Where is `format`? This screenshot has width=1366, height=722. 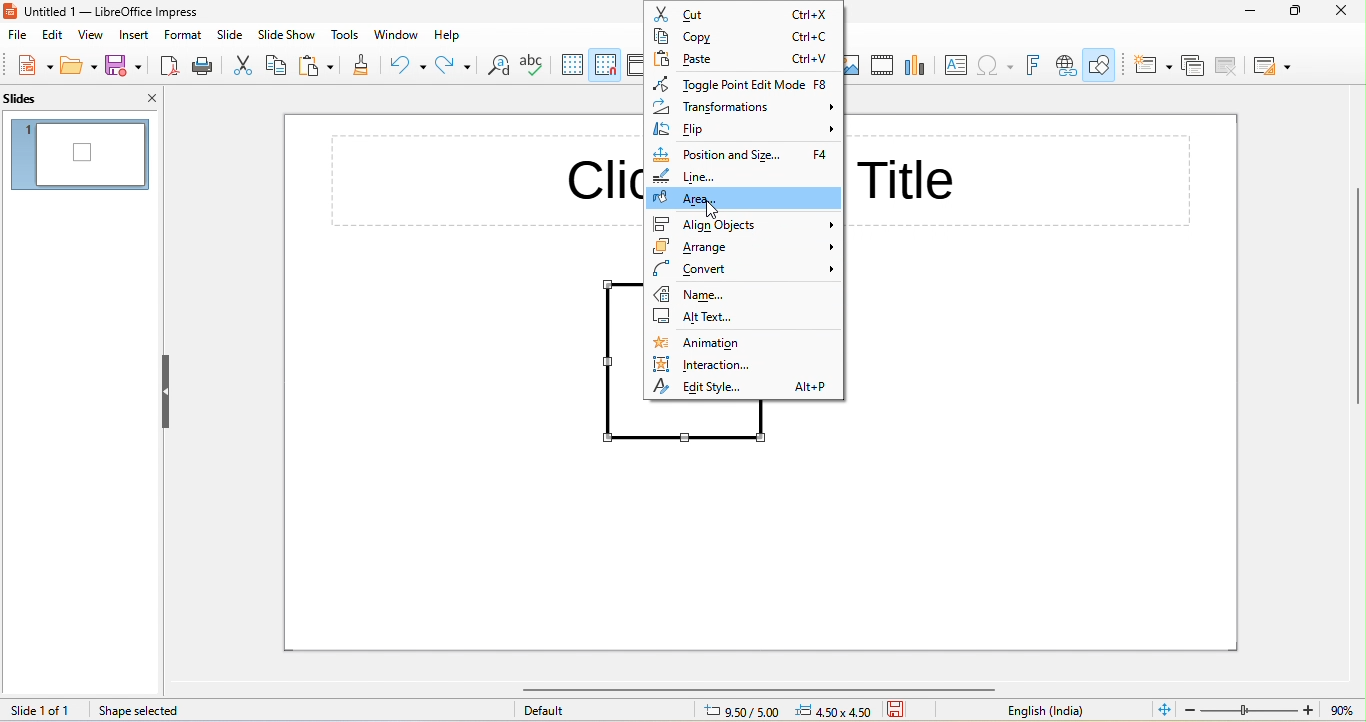 format is located at coordinates (180, 35).